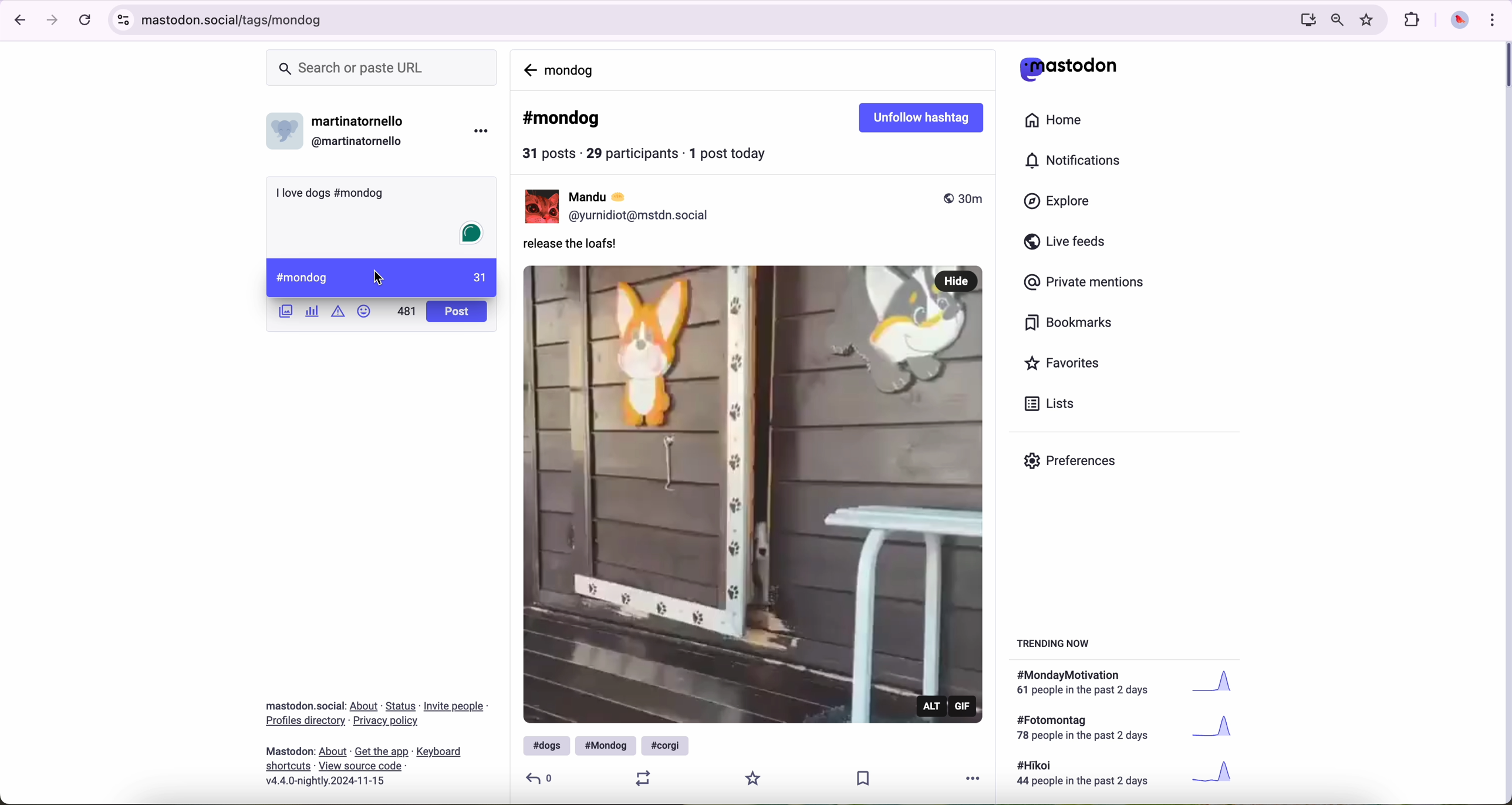  What do you see at coordinates (1089, 684) in the screenshot?
I see `text` at bounding box center [1089, 684].